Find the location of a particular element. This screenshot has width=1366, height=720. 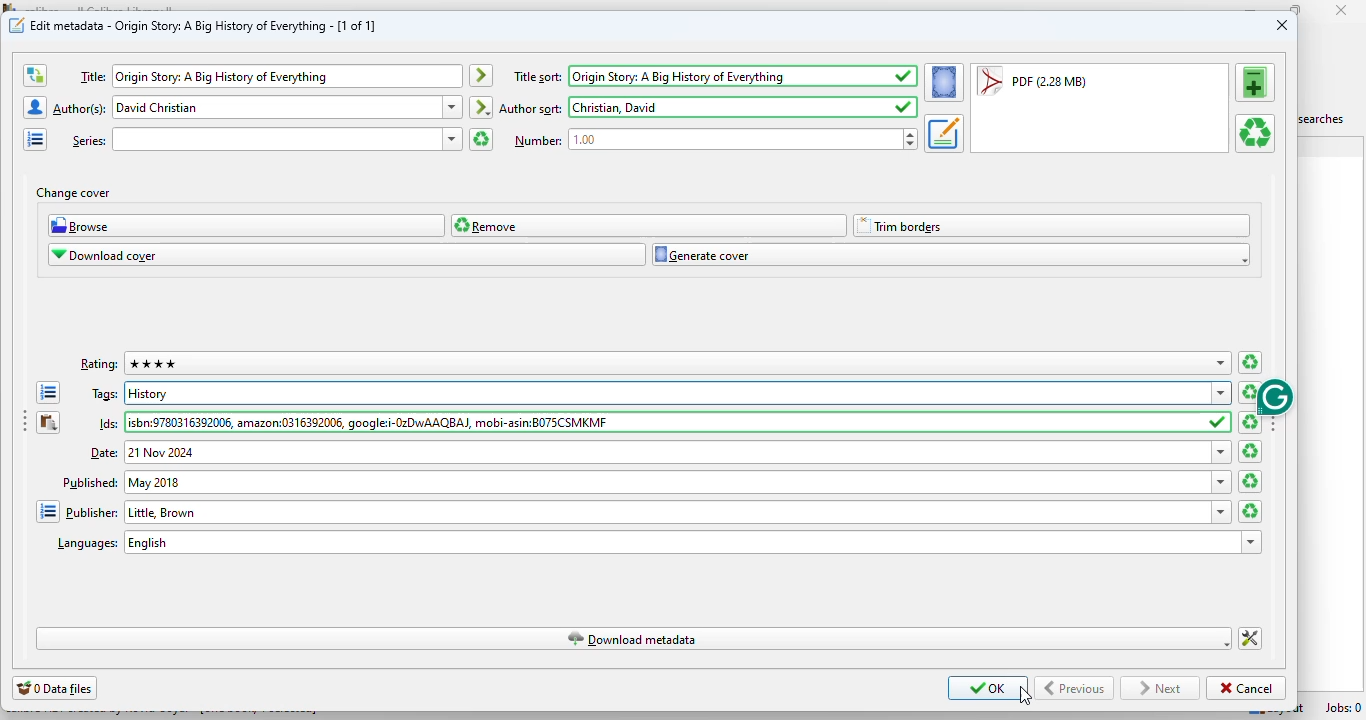

paste is located at coordinates (47, 422).